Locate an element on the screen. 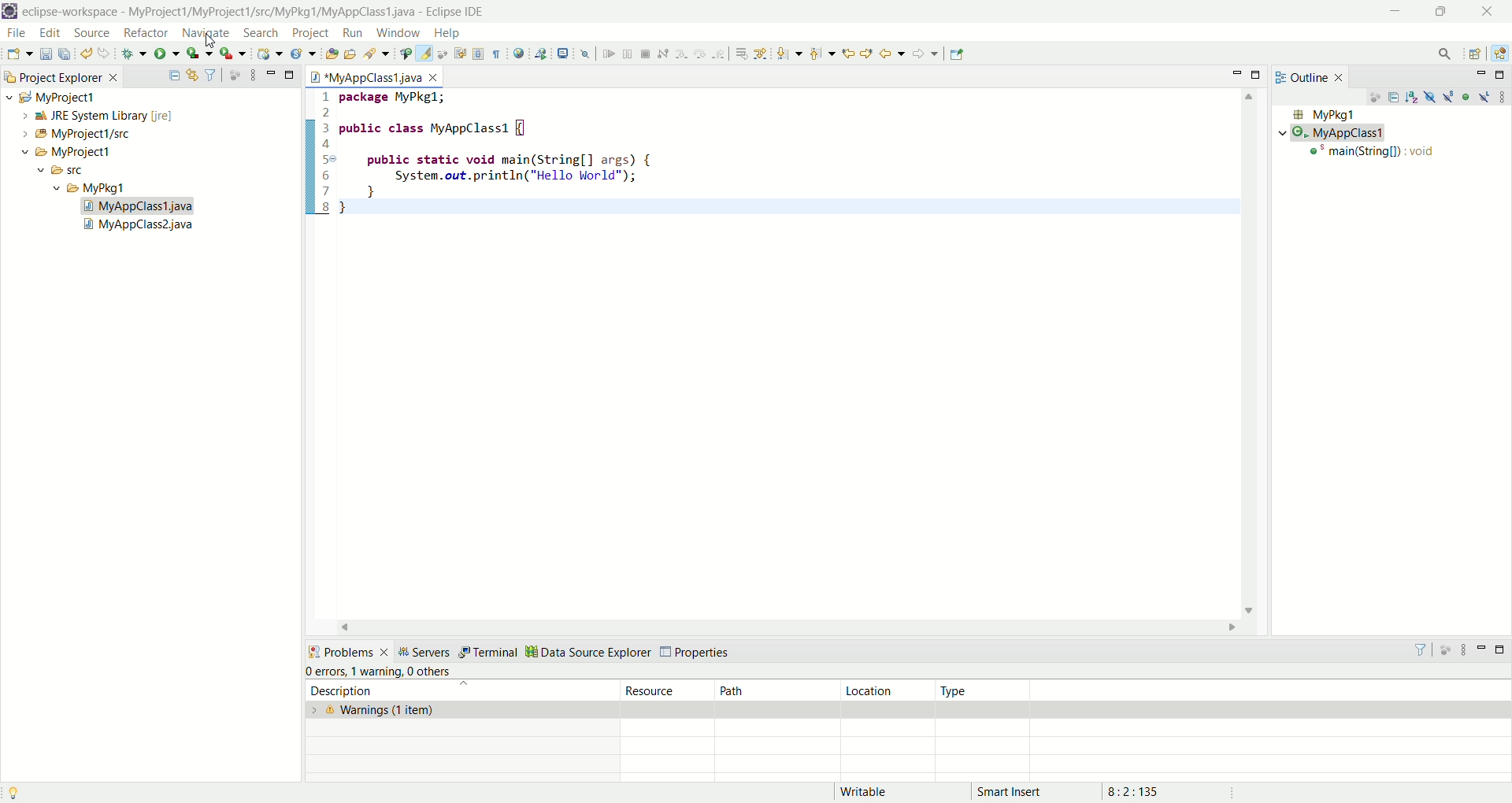 Image resolution: width=1512 pixels, height=803 pixels. 8: 2: 135 is located at coordinates (1152, 790).